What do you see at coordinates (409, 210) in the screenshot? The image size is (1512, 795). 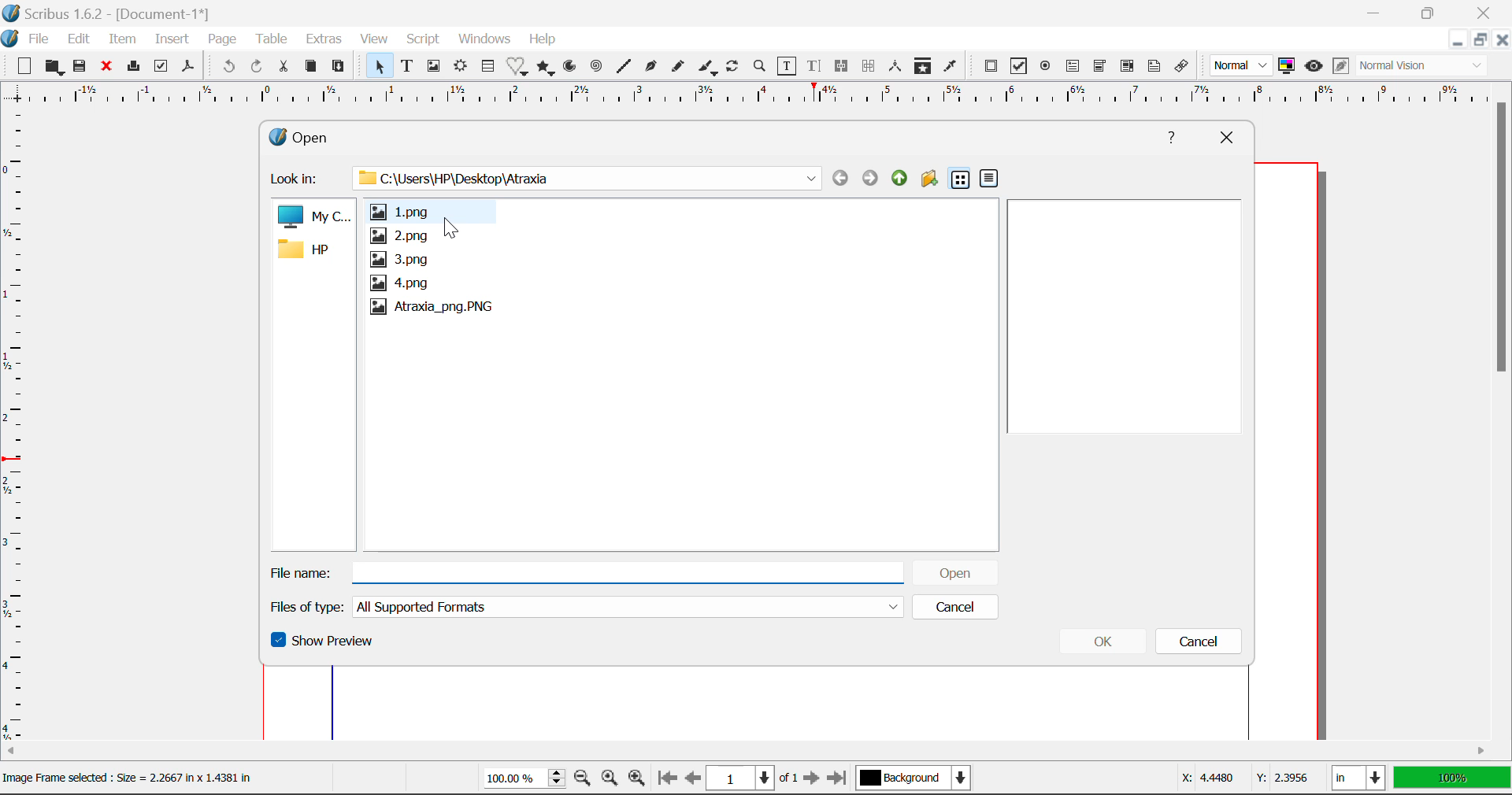 I see `1.png` at bounding box center [409, 210].